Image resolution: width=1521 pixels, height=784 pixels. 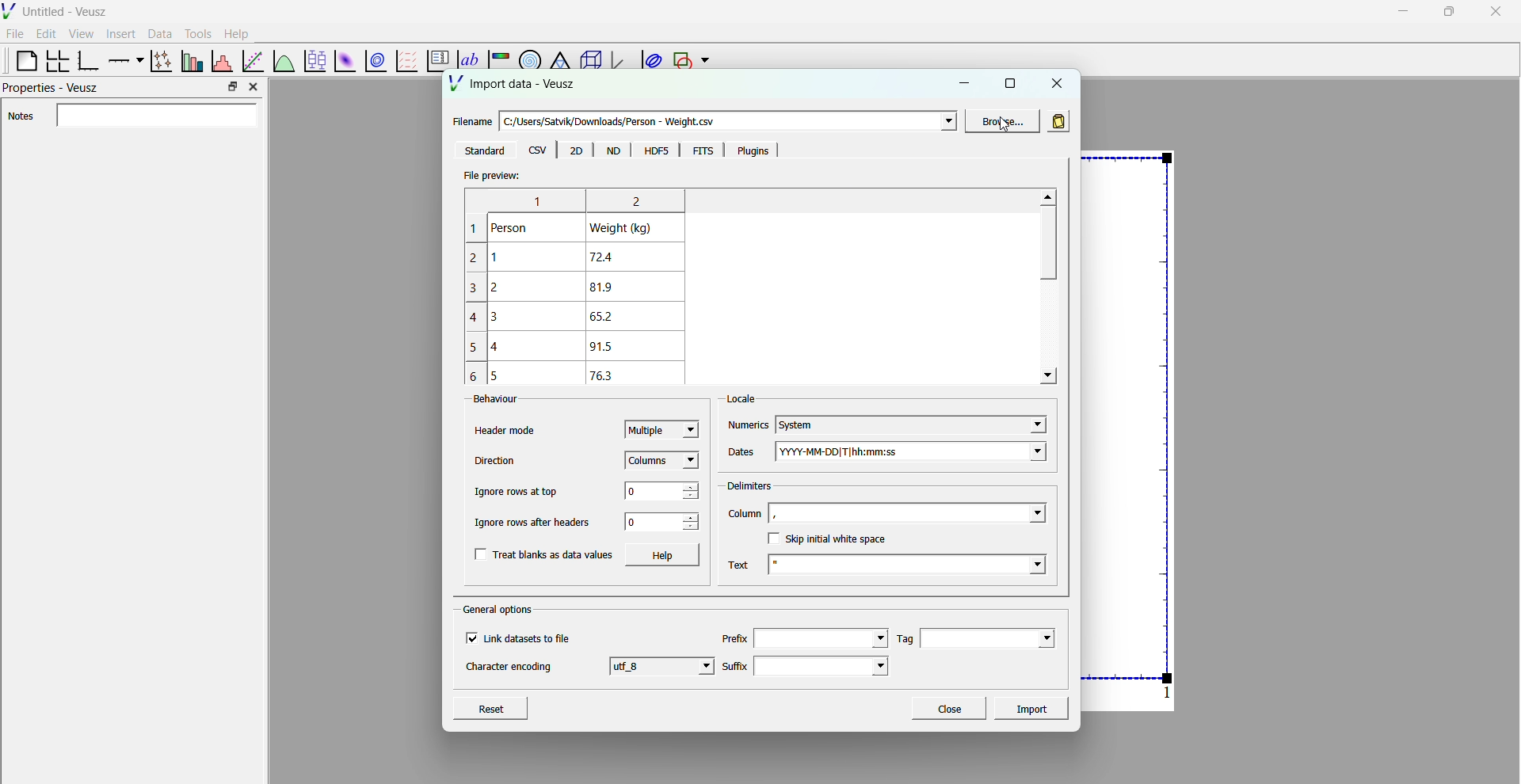 I want to click on insert, so click(x=118, y=32).